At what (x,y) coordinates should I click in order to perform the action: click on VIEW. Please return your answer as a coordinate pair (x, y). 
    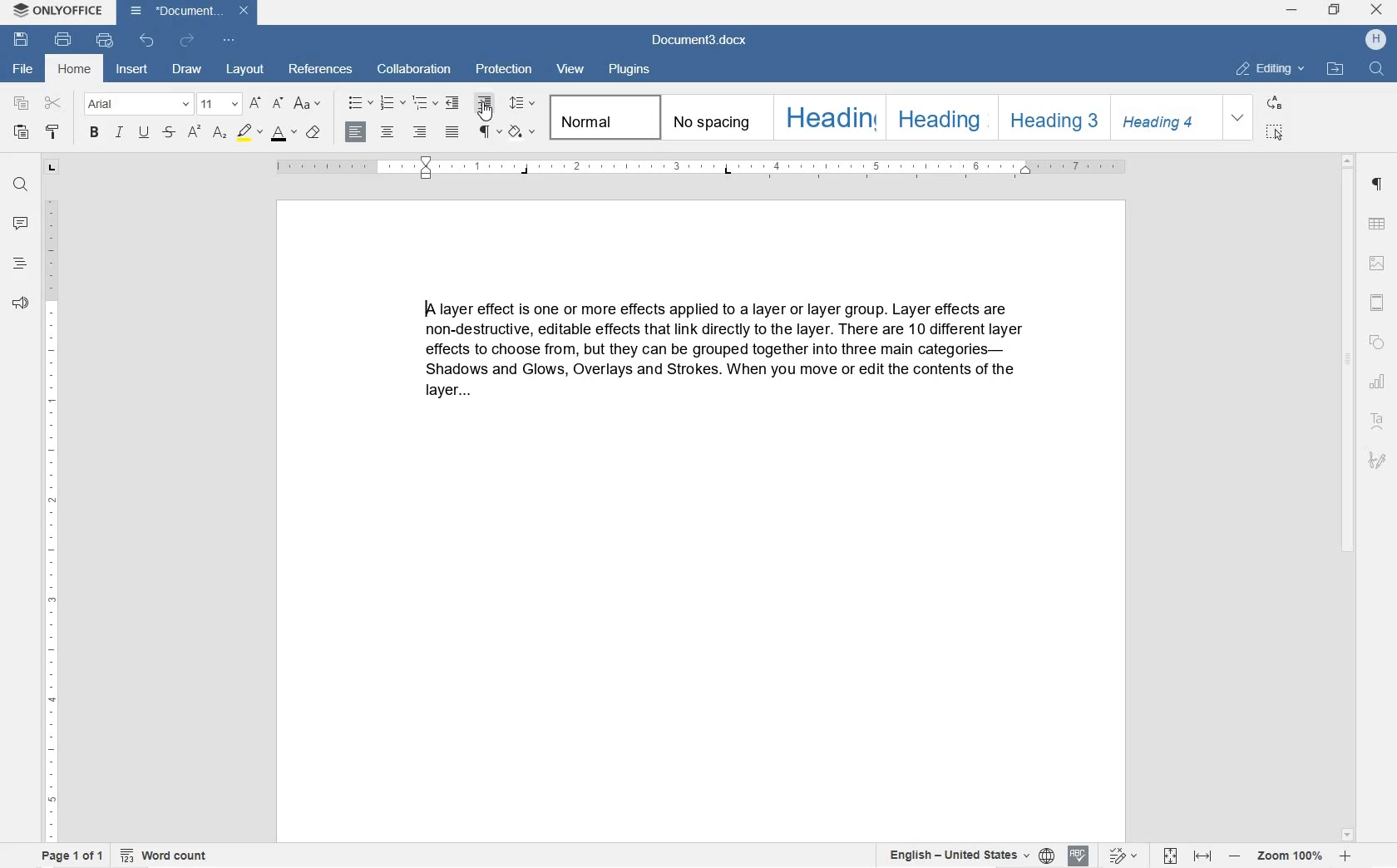
    Looking at the image, I should click on (574, 70).